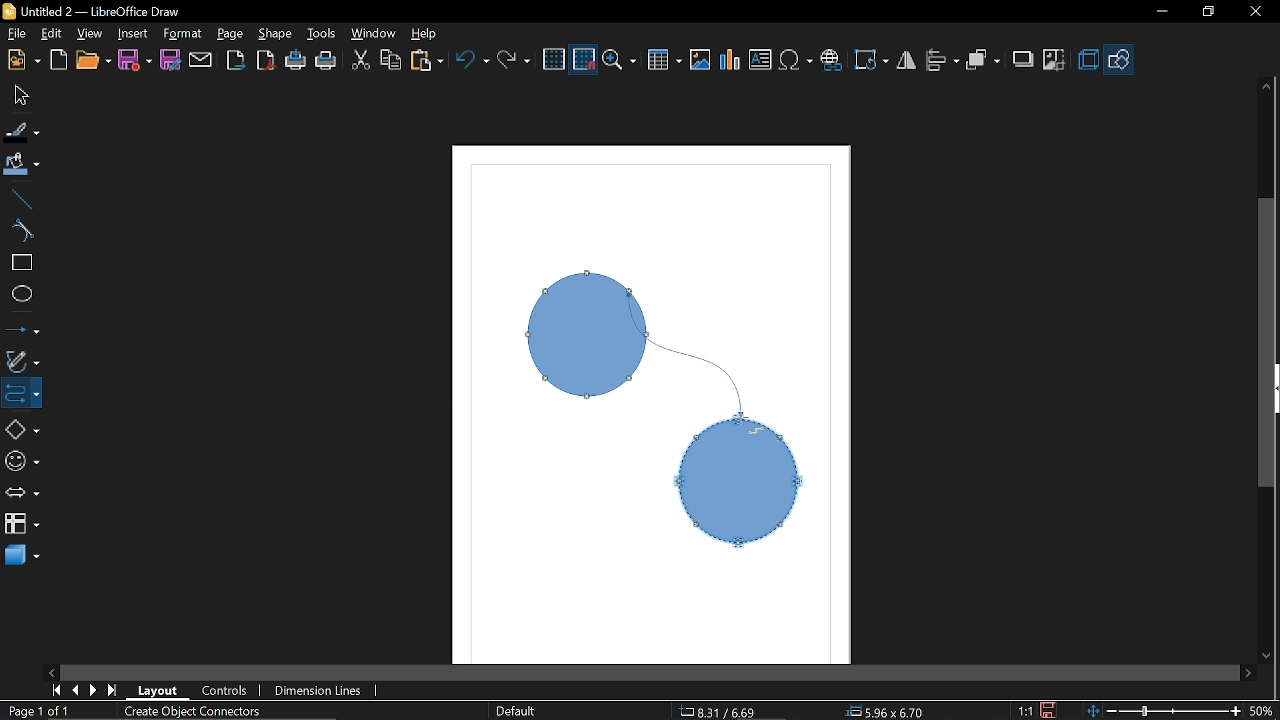 This screenshot has width=1280, height=720. Describe the element at coordinates (665, 60) in the screenshot. I see `Insert table` at that location.